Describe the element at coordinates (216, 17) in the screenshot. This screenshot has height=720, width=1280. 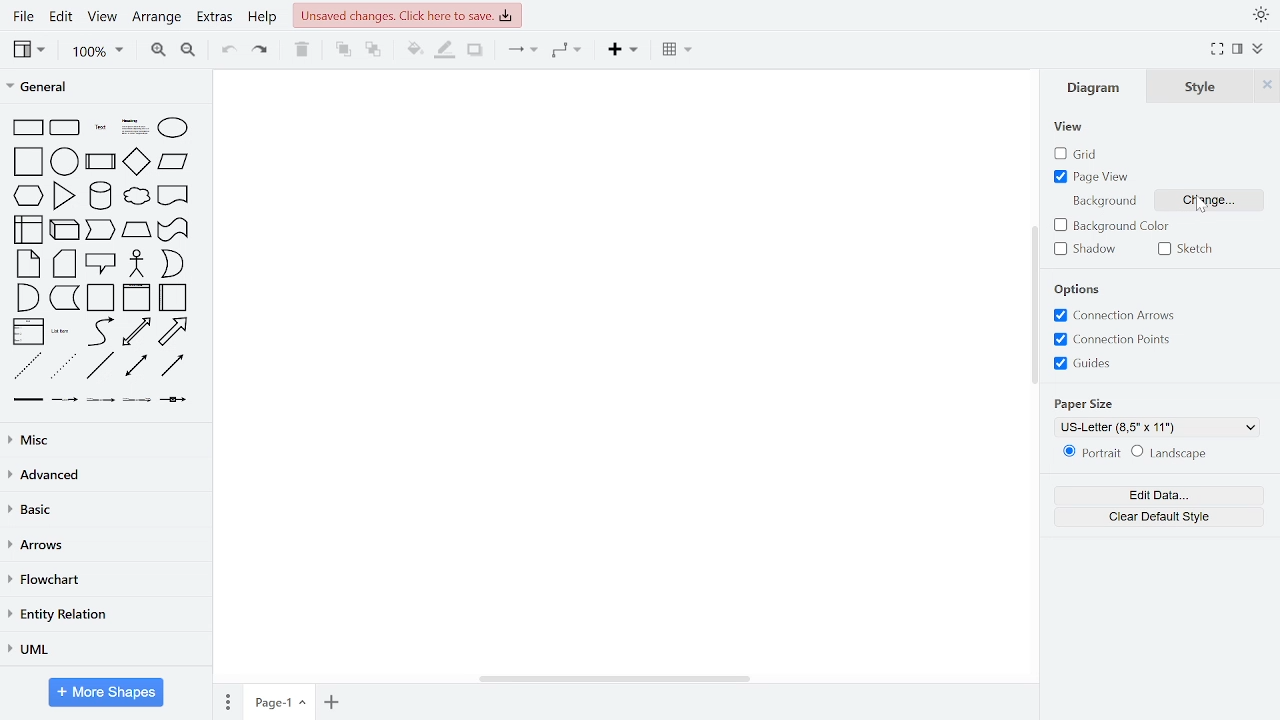
I see `extras` at that location.